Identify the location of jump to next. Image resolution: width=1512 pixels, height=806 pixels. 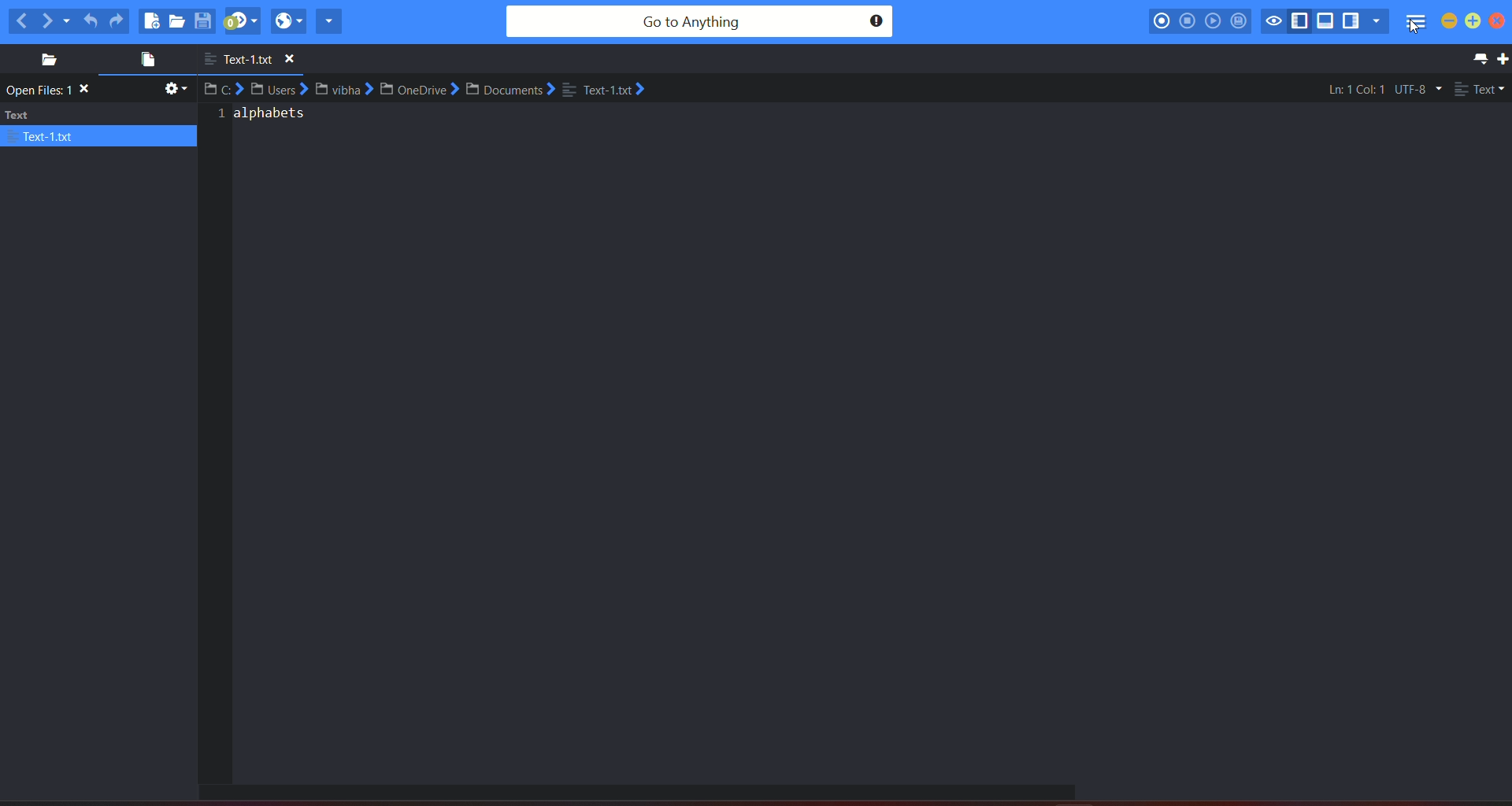
(242, 21).